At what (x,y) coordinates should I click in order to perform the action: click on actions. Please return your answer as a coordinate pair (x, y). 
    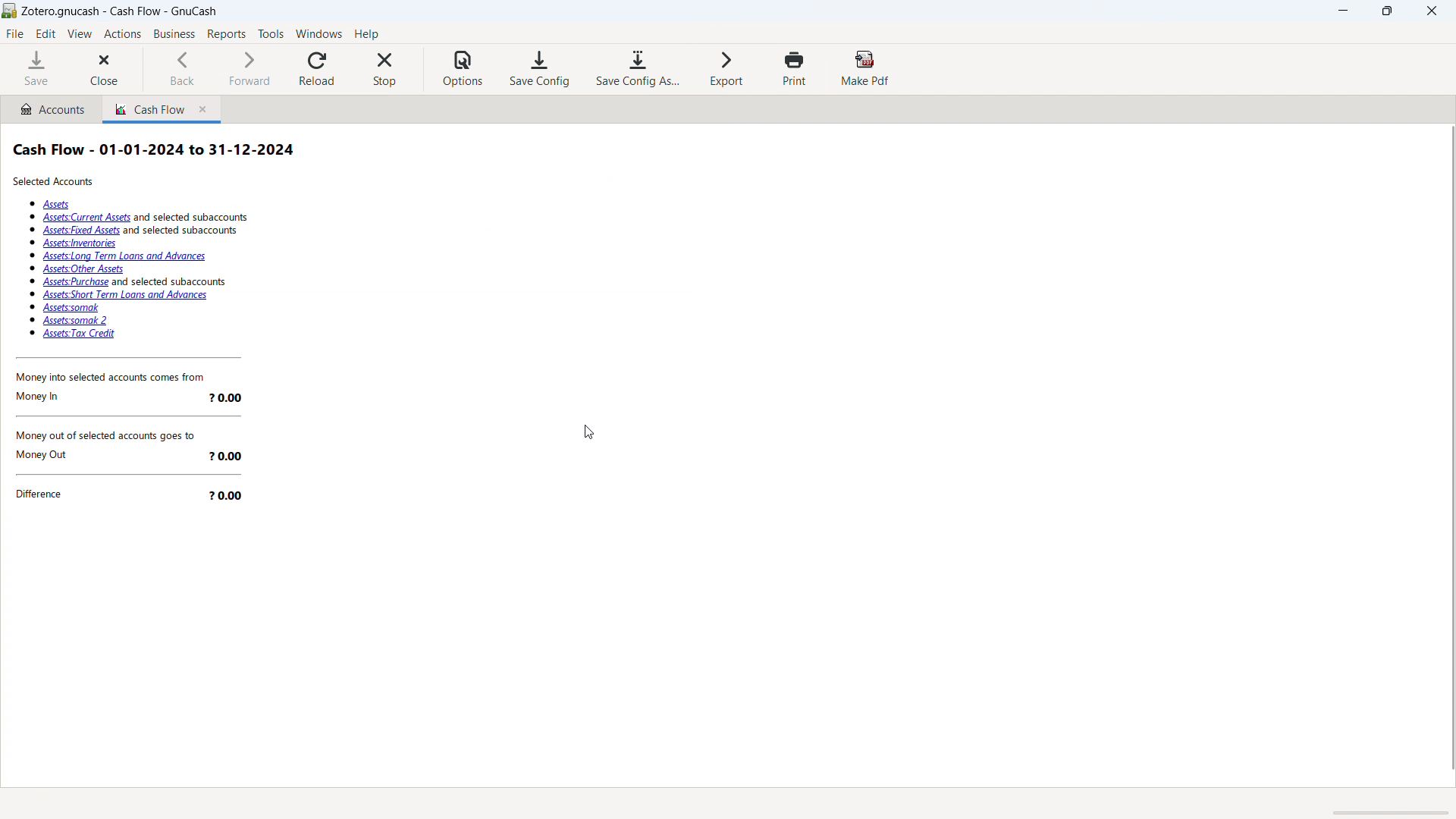
    Looking at the image, I should click on (123, 34).